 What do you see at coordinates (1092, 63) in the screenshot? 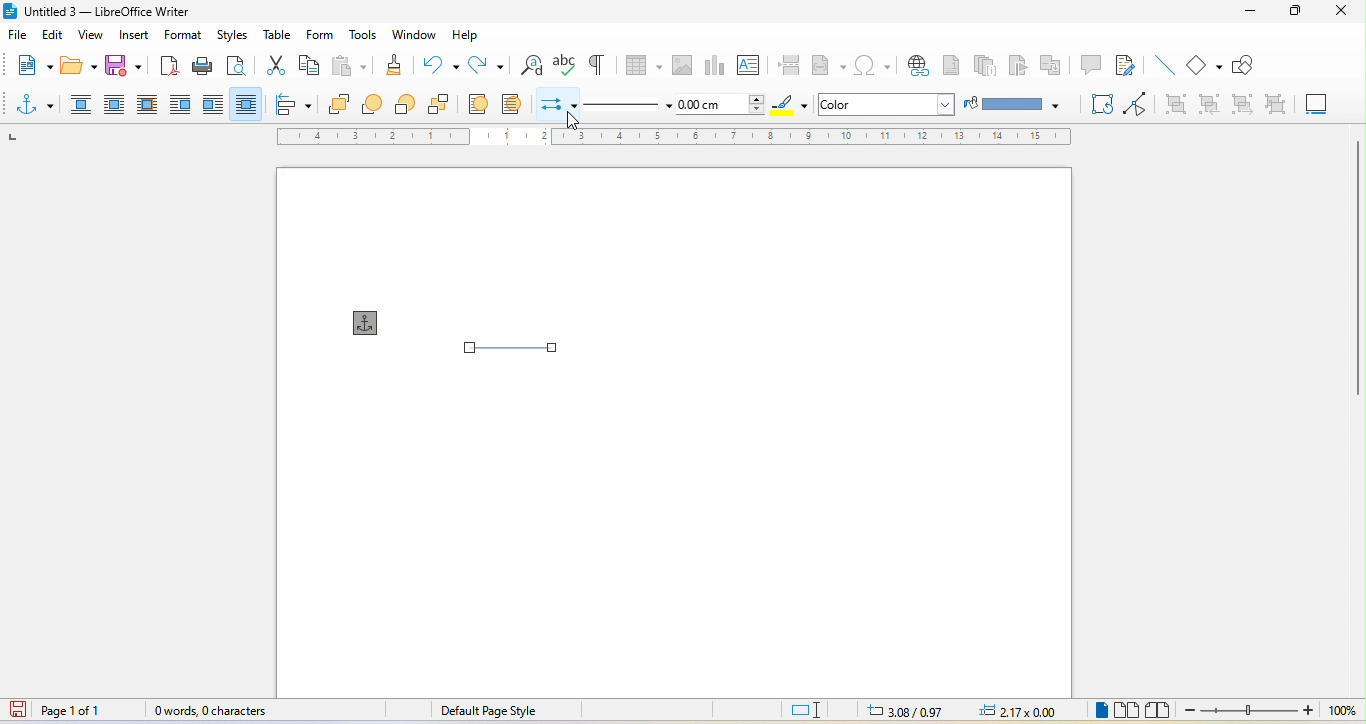
I see `comment` at bounding box center [1092, 63].